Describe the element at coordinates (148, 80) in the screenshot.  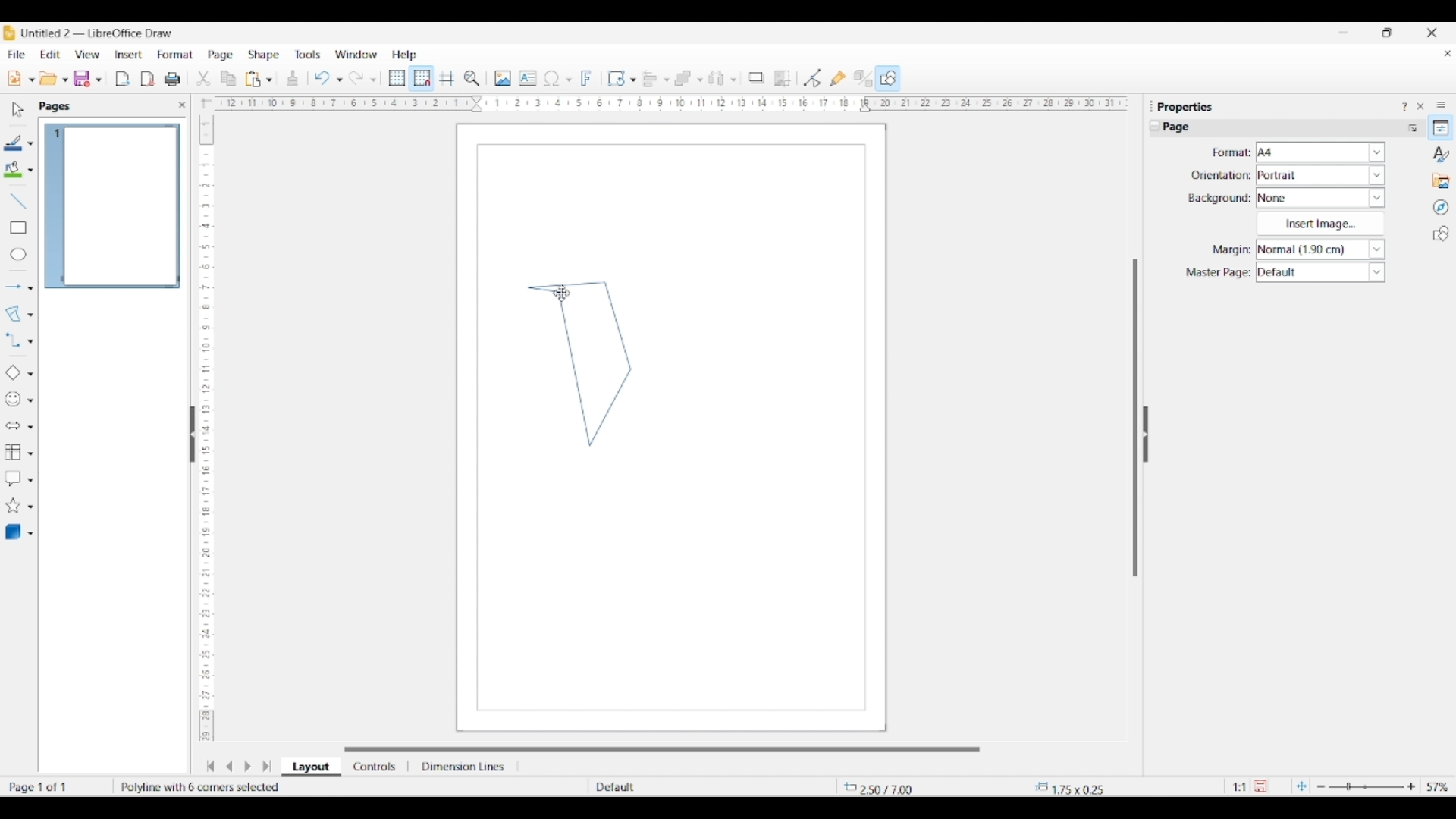
I see `Export directly as PDF` at that location.